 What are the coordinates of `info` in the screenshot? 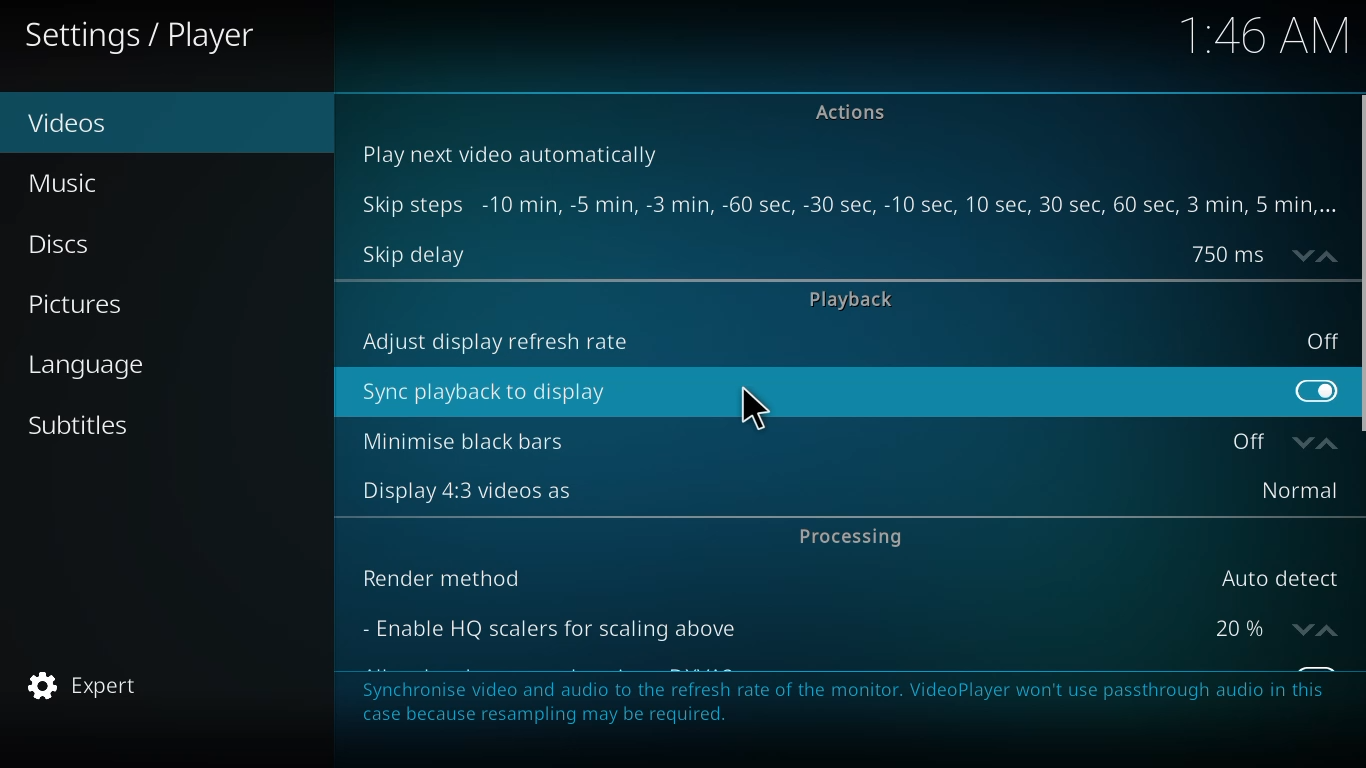 It's located at (844, 701).